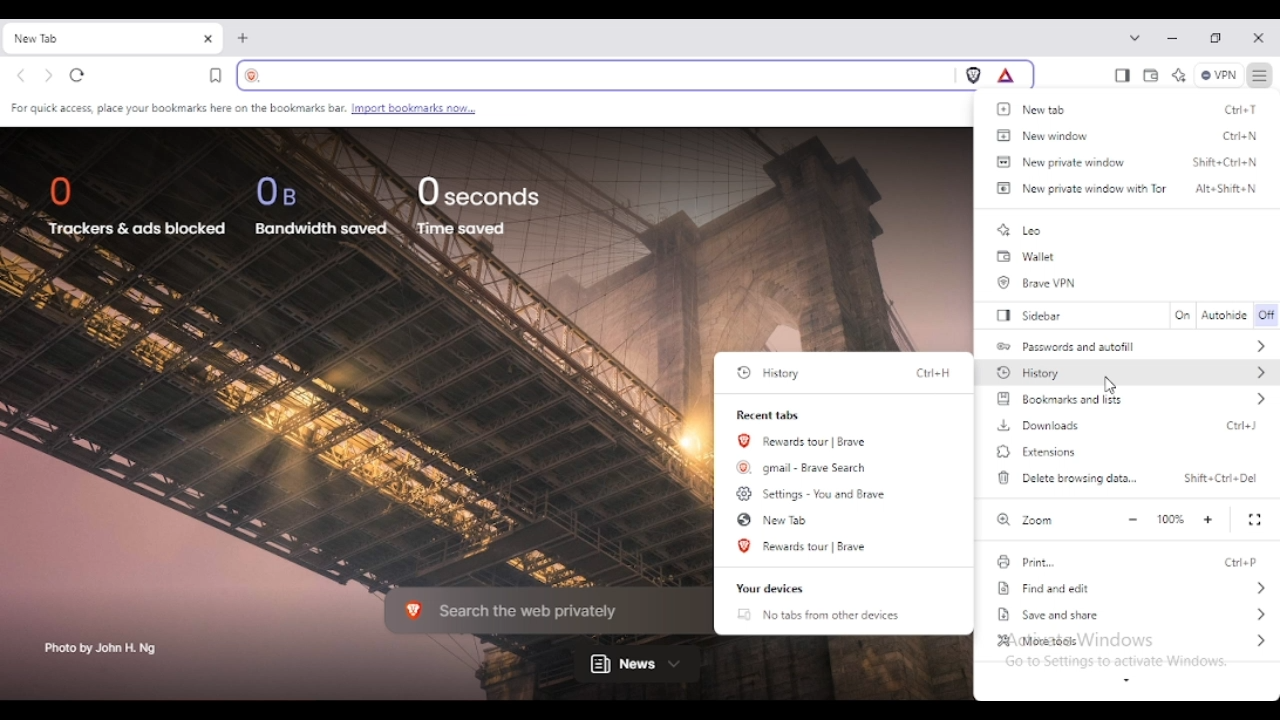 The width and height of the screenshot is (1280, 720). What do you see at coordinates (1061, 161) in the screenshot?
I see `new private window` at bounding box center [1061, 161].